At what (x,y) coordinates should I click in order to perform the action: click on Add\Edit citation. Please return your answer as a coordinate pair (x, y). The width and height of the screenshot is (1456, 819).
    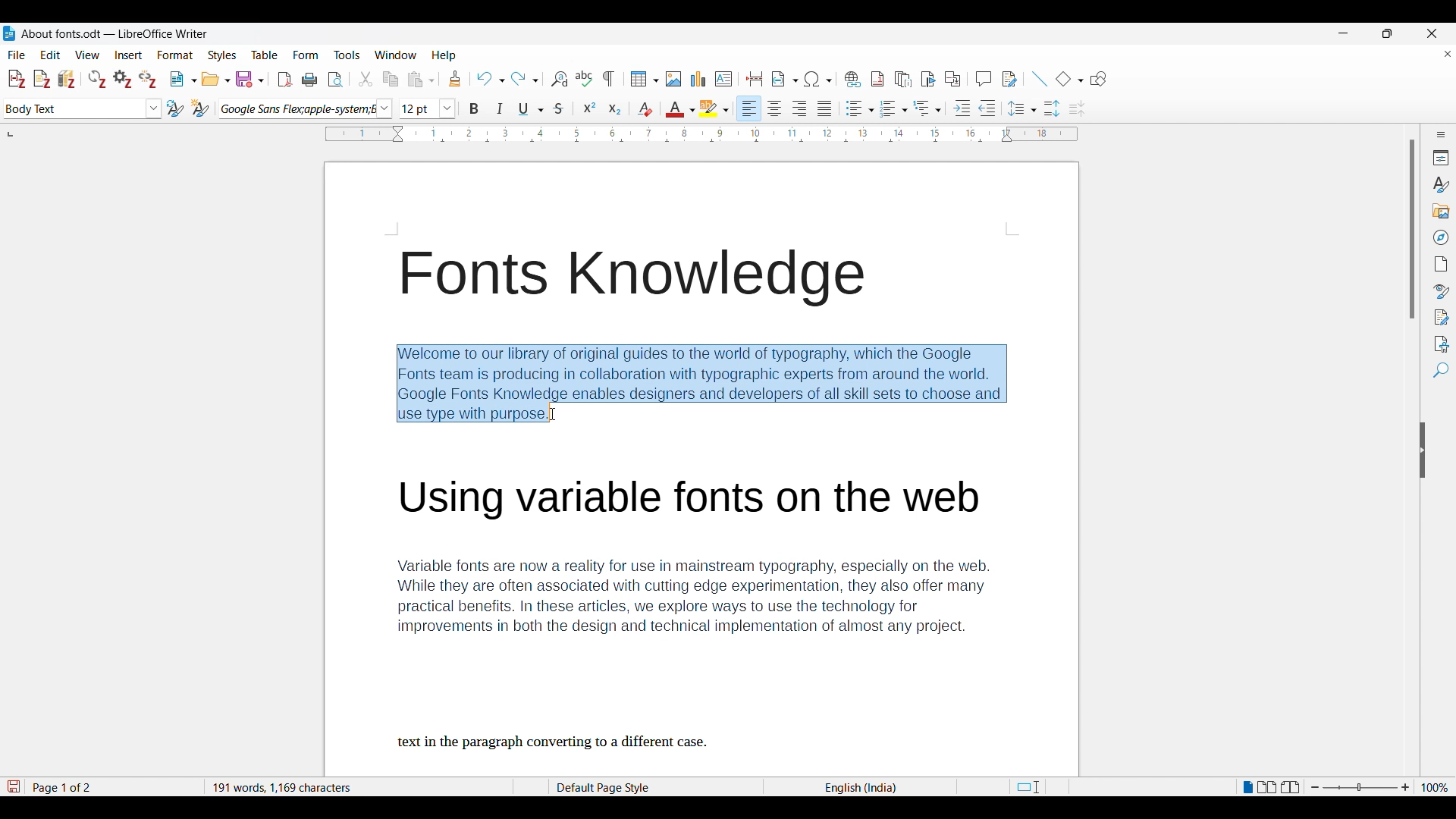
    Looking at the image, I should click on (17, 80).